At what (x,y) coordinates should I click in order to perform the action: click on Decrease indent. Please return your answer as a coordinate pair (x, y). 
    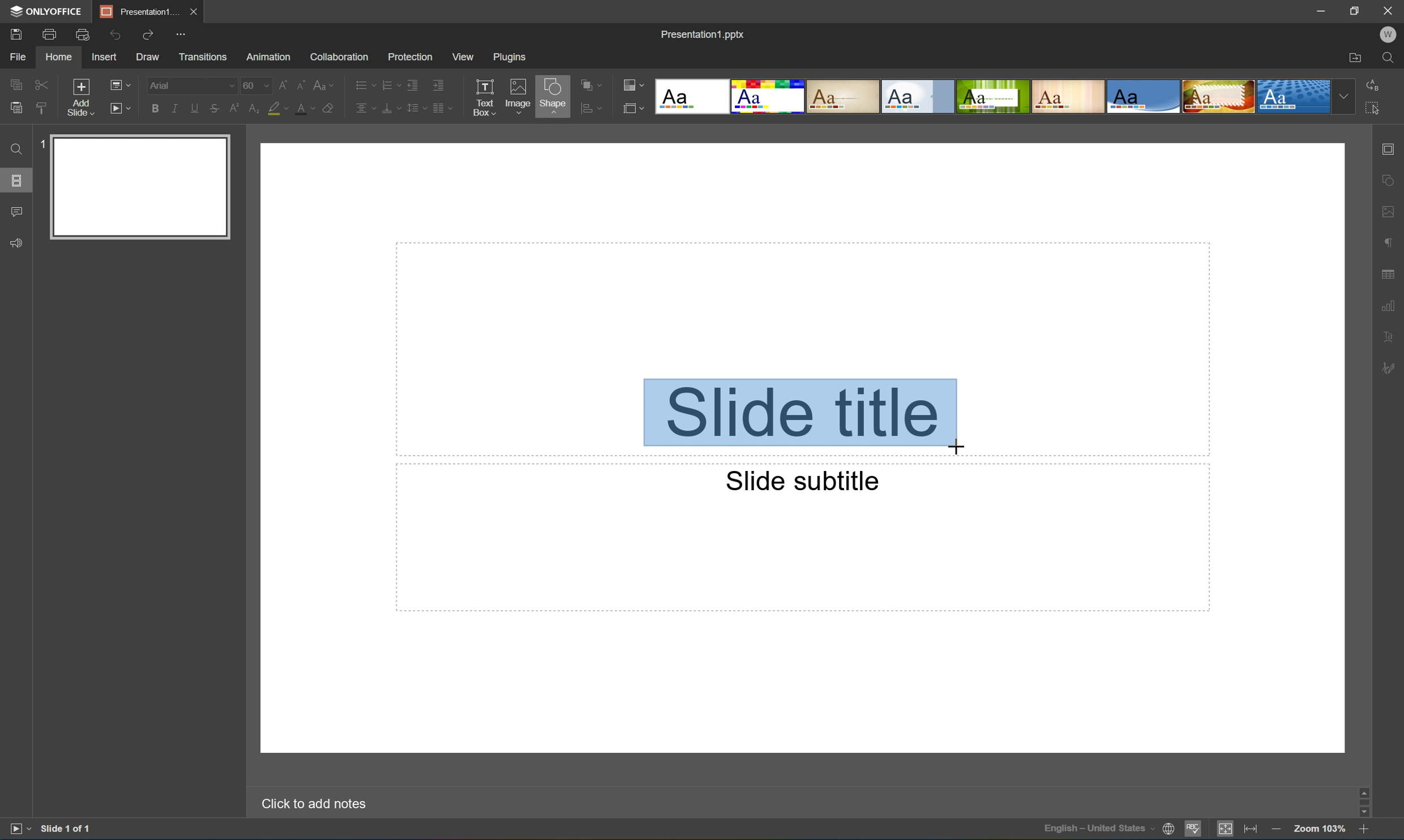
    Looking at the image, I should click on (413, 83).